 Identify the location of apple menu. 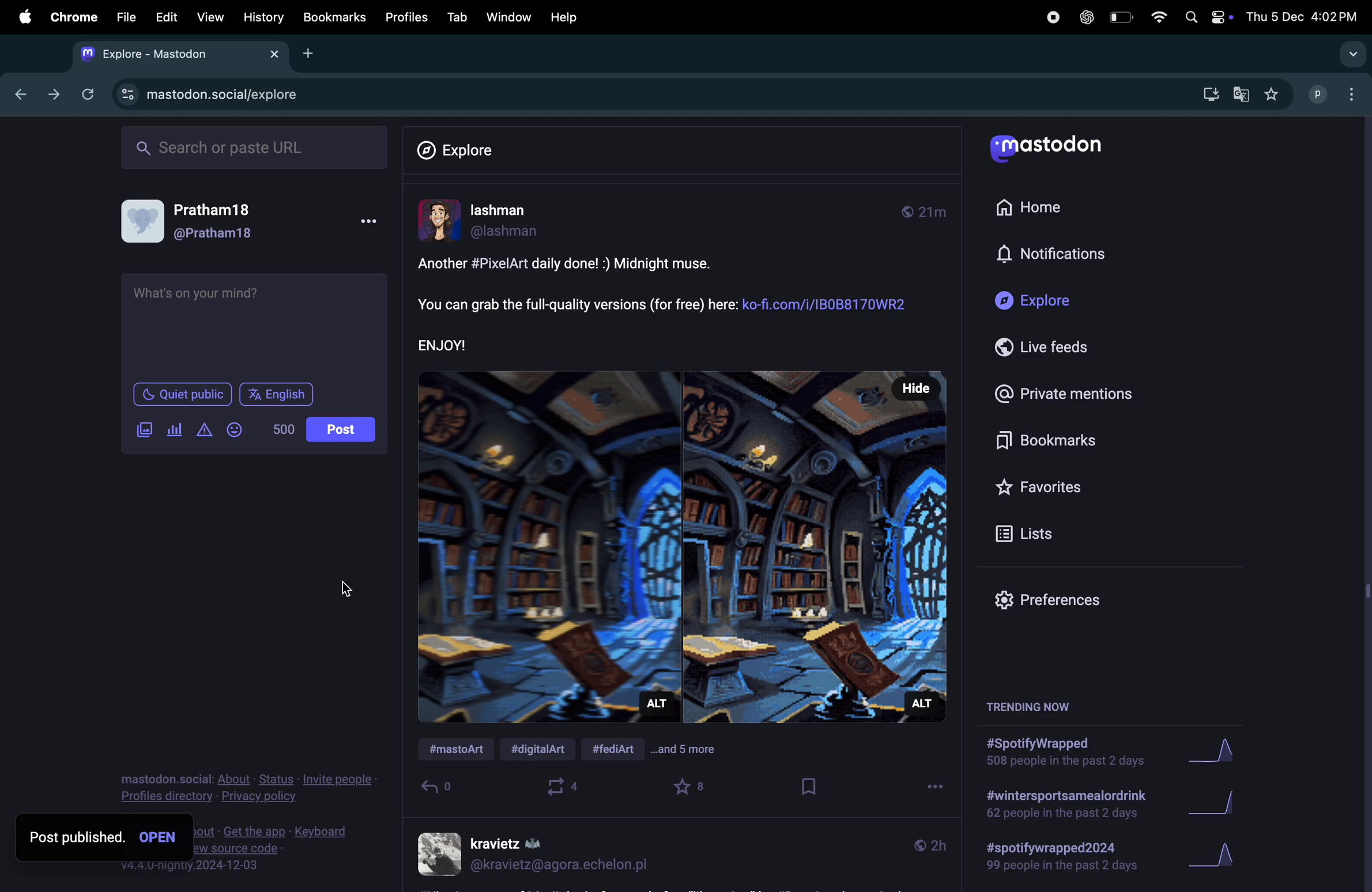
(22, 17).